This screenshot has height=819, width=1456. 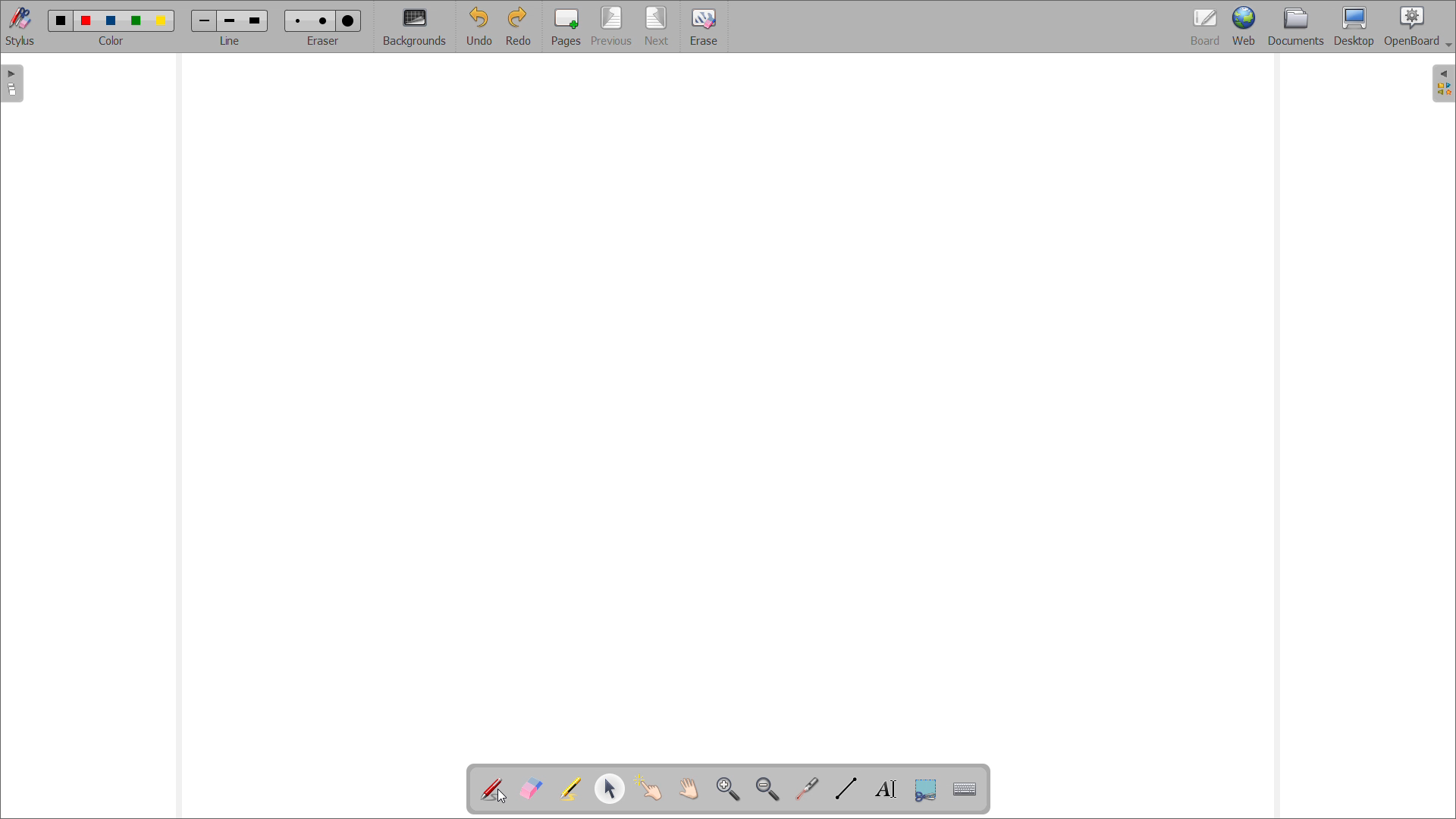 What do you see at coordinates (768, 789) in the screenshot?
I see `zoom out` at bounding box center [768, 789].